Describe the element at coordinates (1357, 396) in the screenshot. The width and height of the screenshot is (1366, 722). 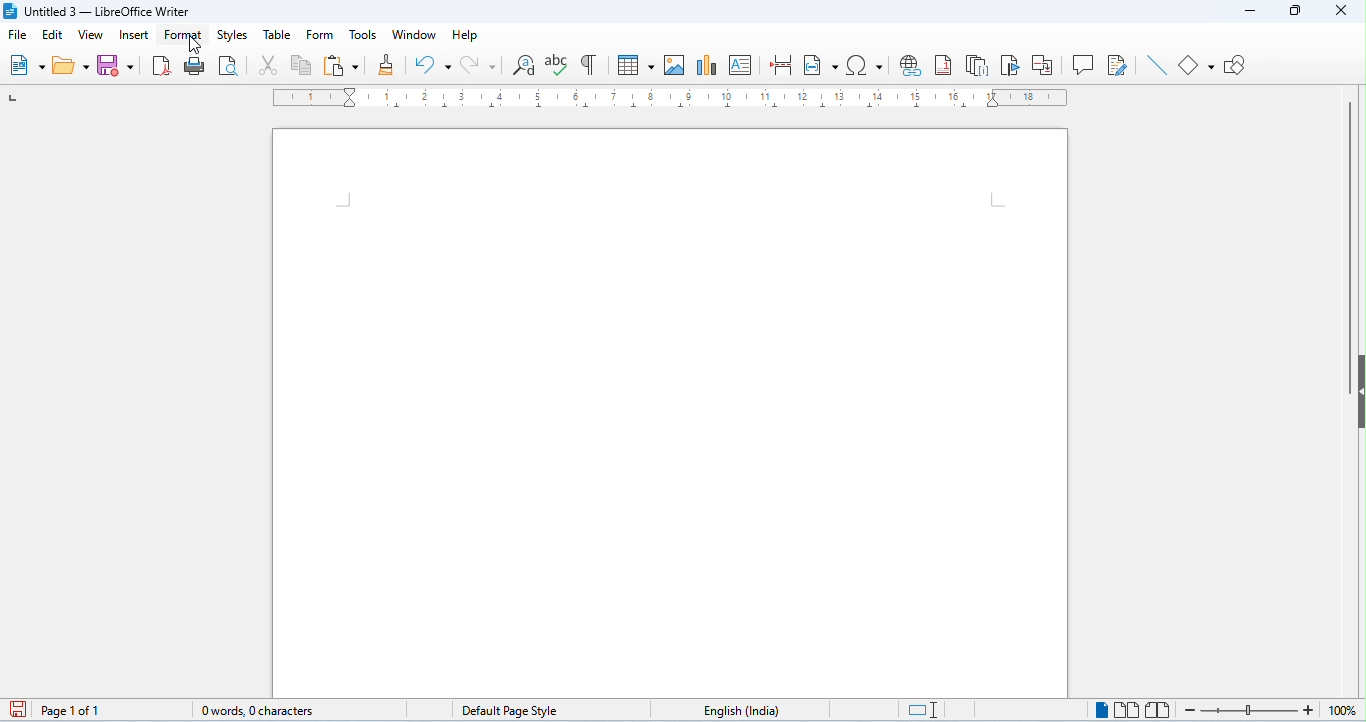
I see `hide/show` at that location.